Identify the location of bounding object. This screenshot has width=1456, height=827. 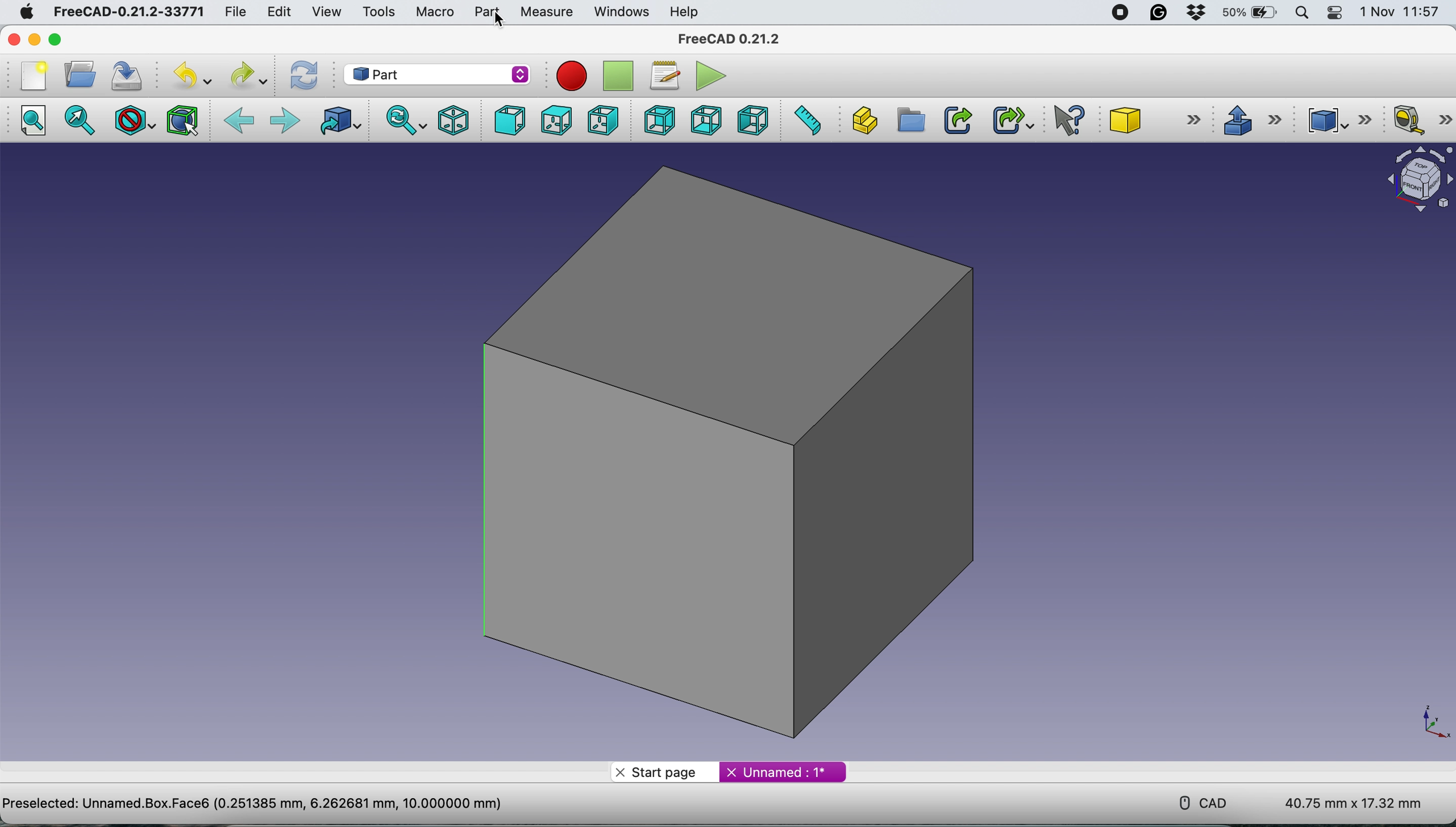
(183, 121).